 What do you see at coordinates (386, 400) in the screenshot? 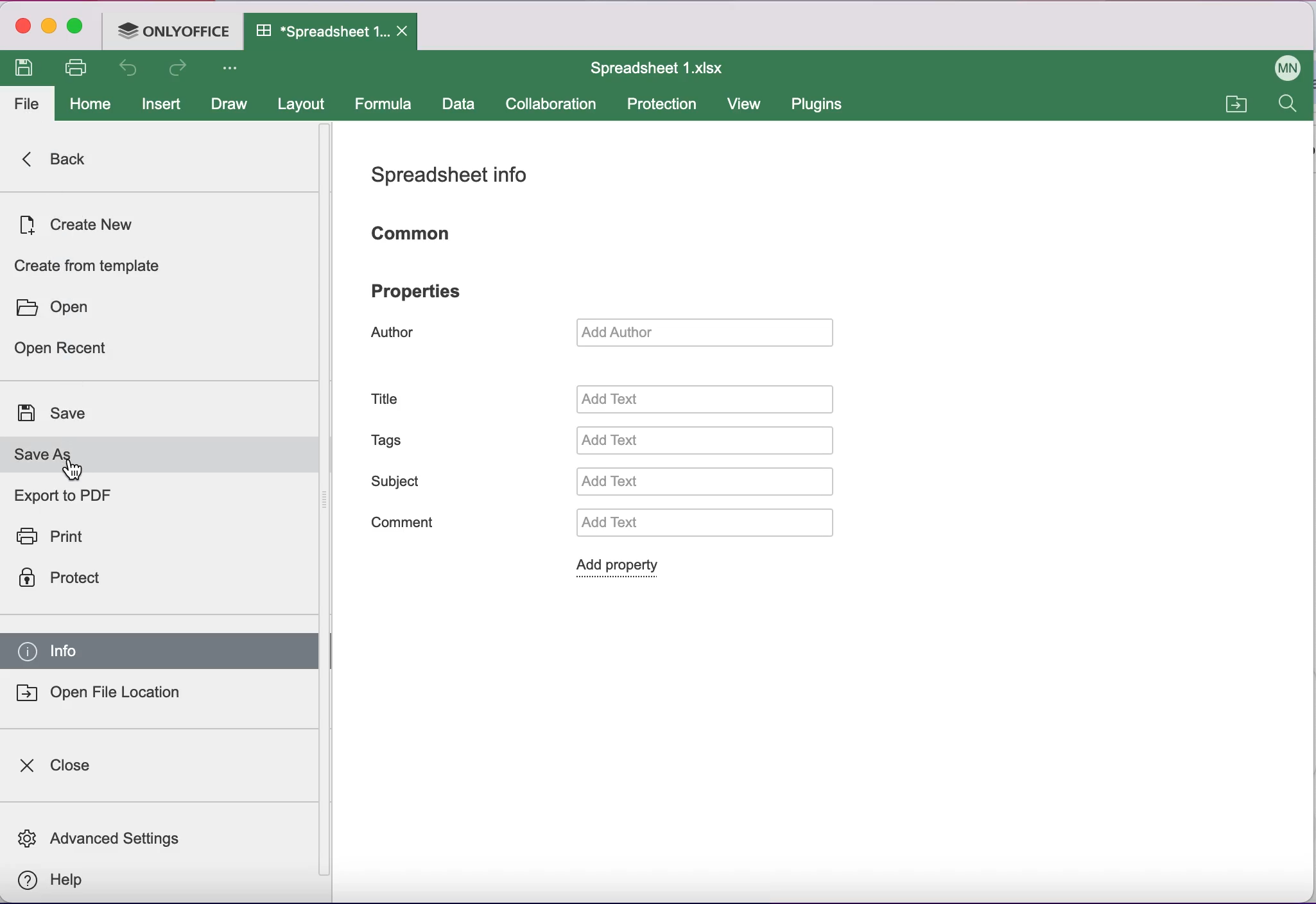
I see `title` at bounding box center [386, 400].